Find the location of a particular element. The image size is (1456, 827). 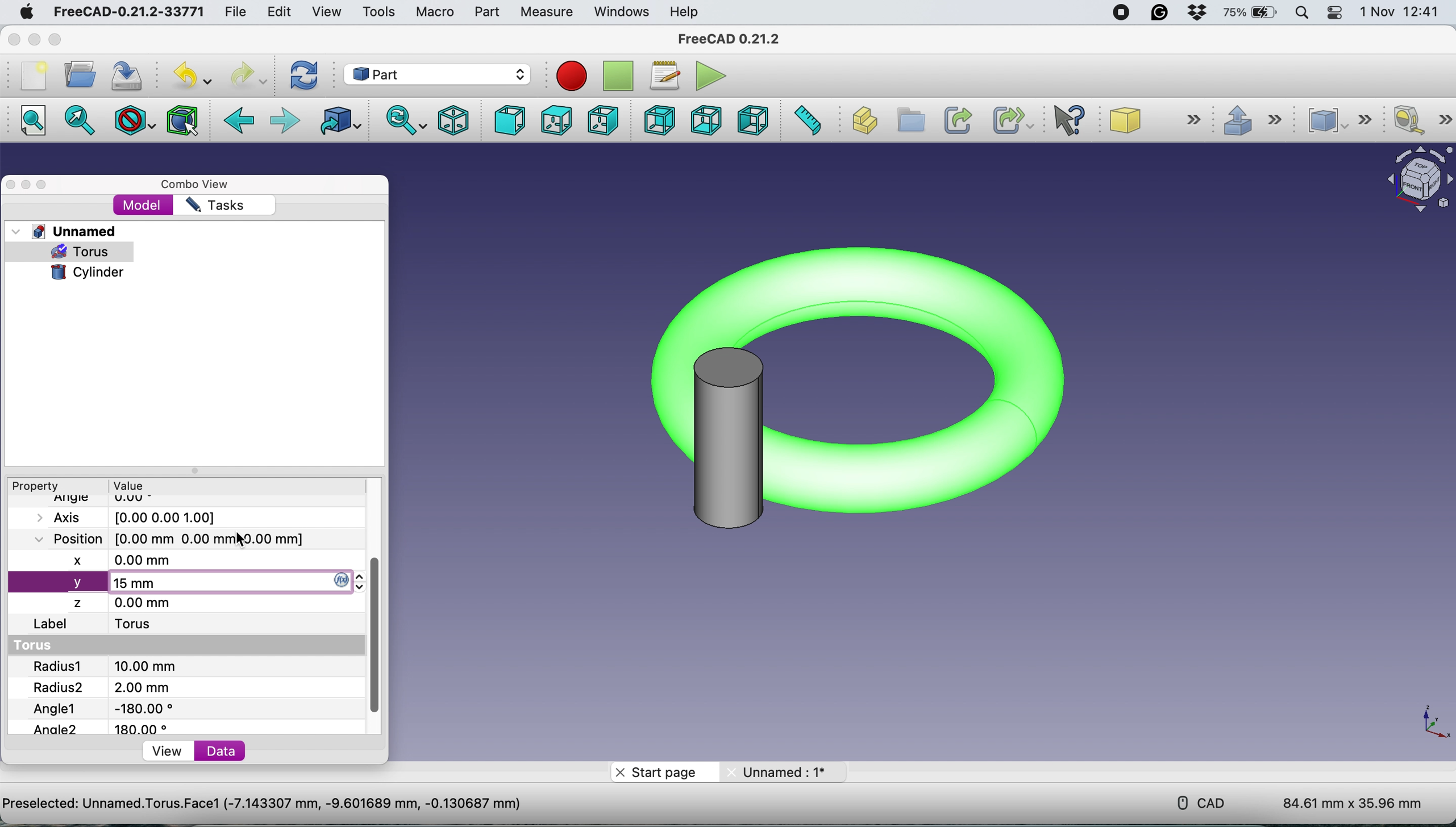

grammarly is located at coordinates (1162, 15).